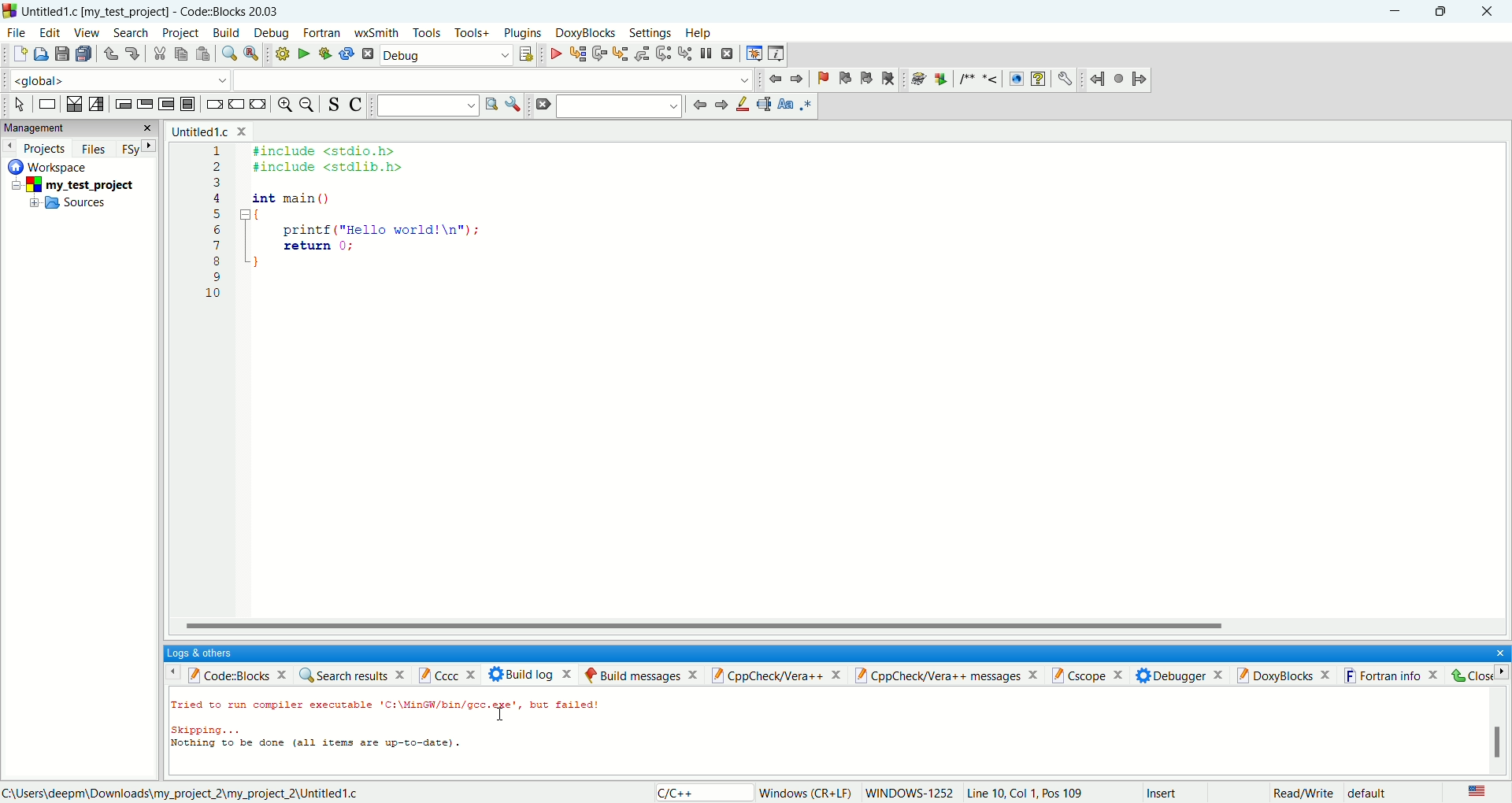 Image resolution: width=1512 pixels, height=803 pixels. Describe the element at coordinates (39, 54) in the screenshot. I see `open` at that location.